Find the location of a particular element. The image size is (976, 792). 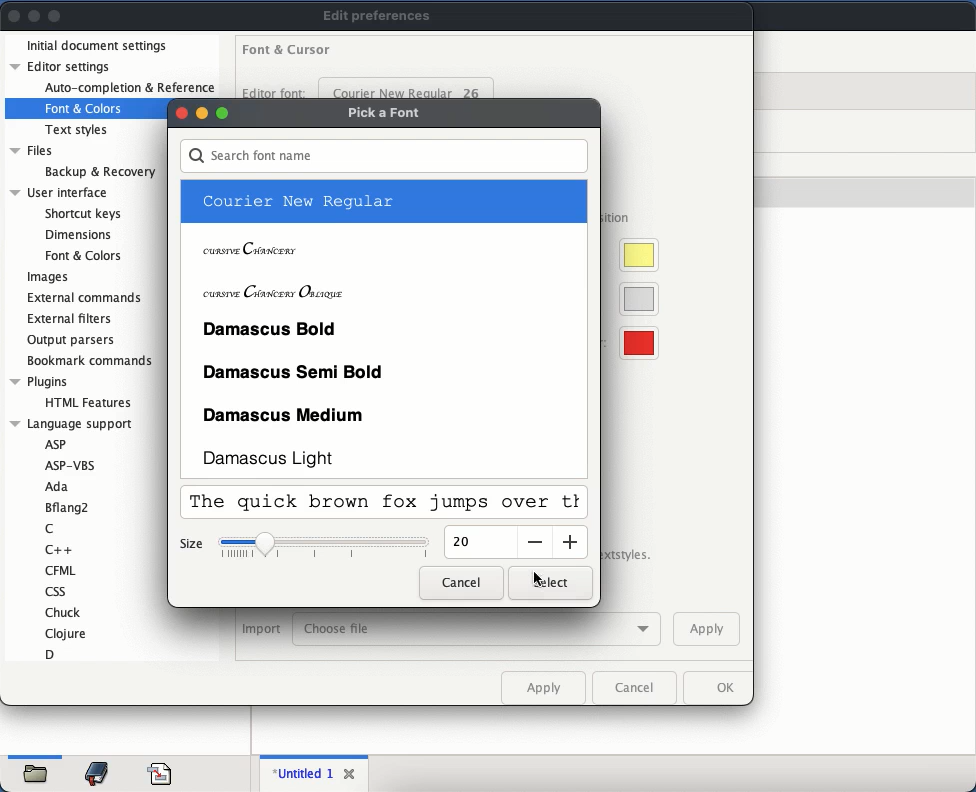

import is located at coordinates (261, 629).